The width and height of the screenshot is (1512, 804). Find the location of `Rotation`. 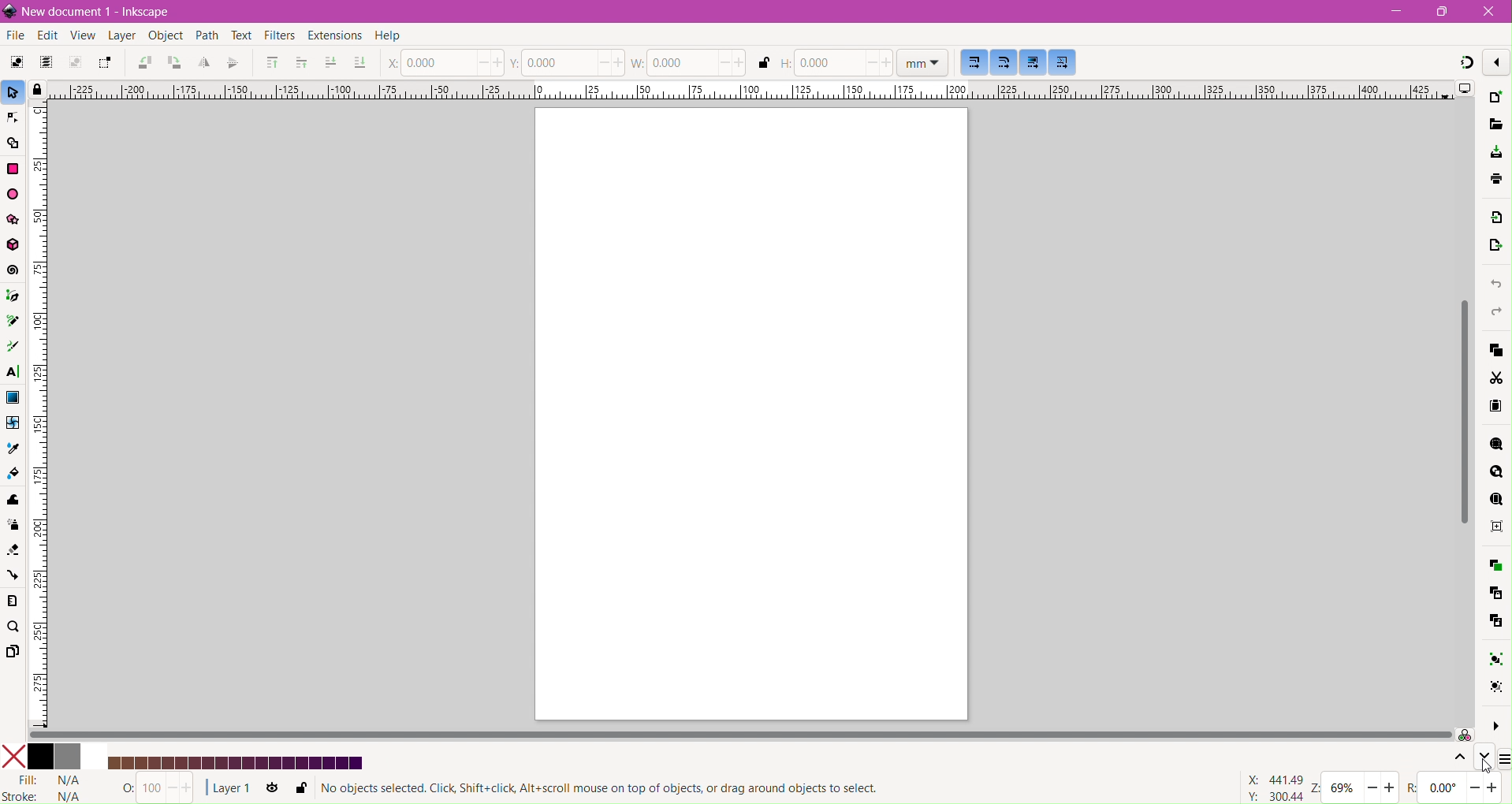

Rotation is located at coordinates (1454, 789).